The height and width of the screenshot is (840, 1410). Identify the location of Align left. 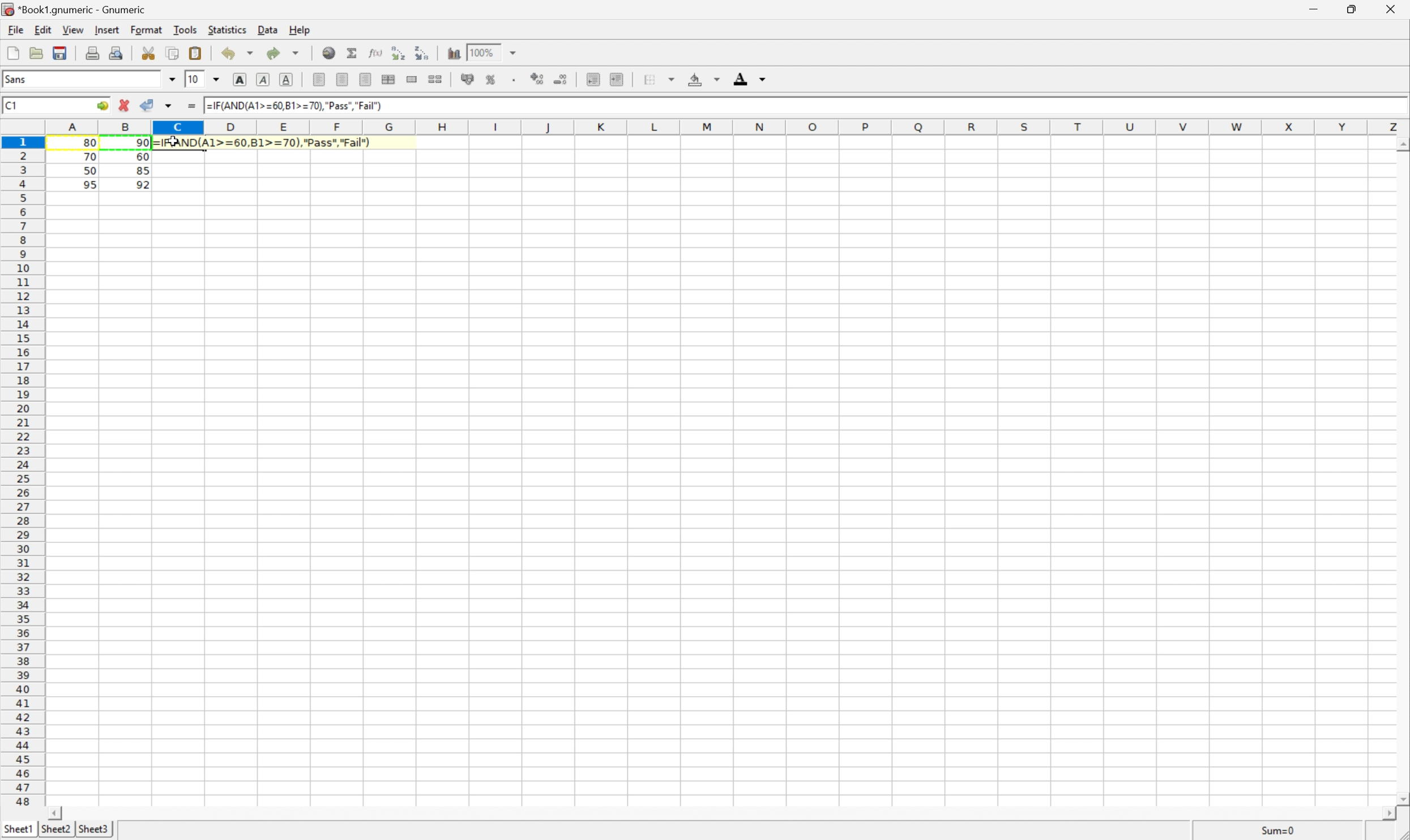
(367, 79).